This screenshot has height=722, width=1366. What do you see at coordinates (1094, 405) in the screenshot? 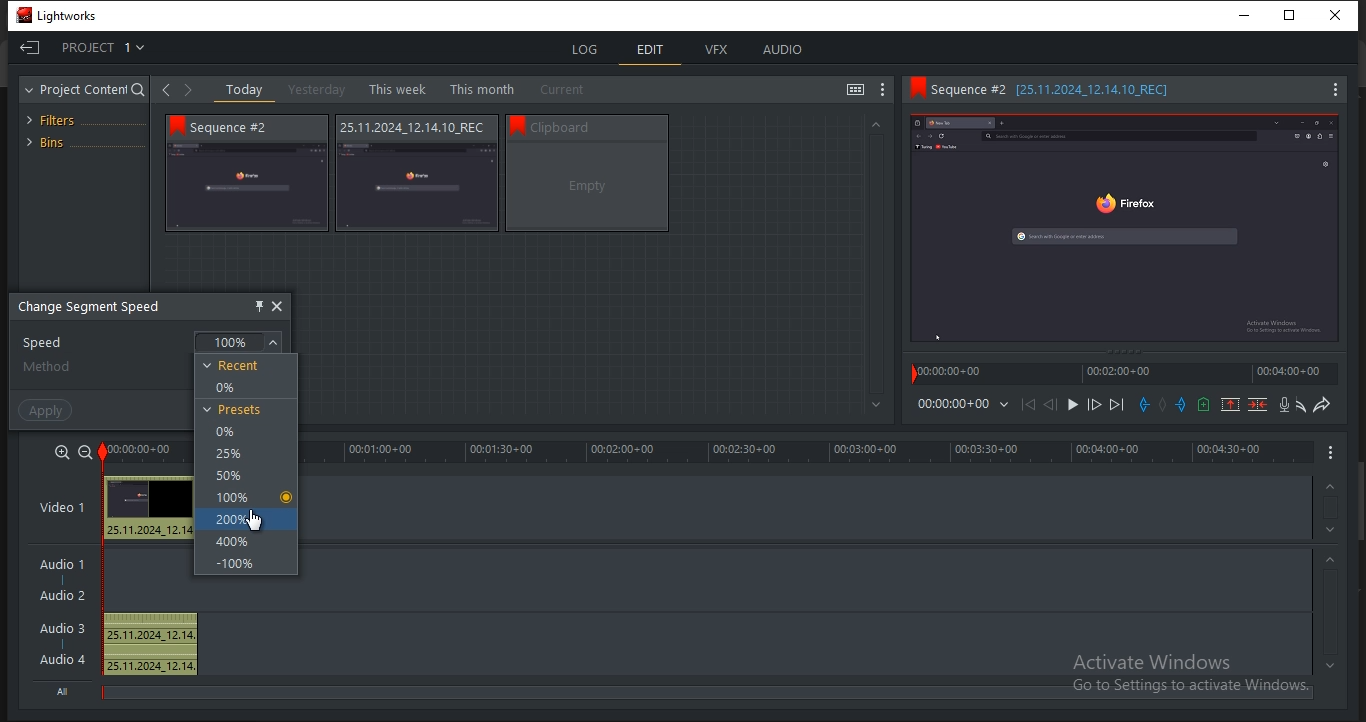
I see `Nudge one frame forward` at bounding box center [1094, 405].